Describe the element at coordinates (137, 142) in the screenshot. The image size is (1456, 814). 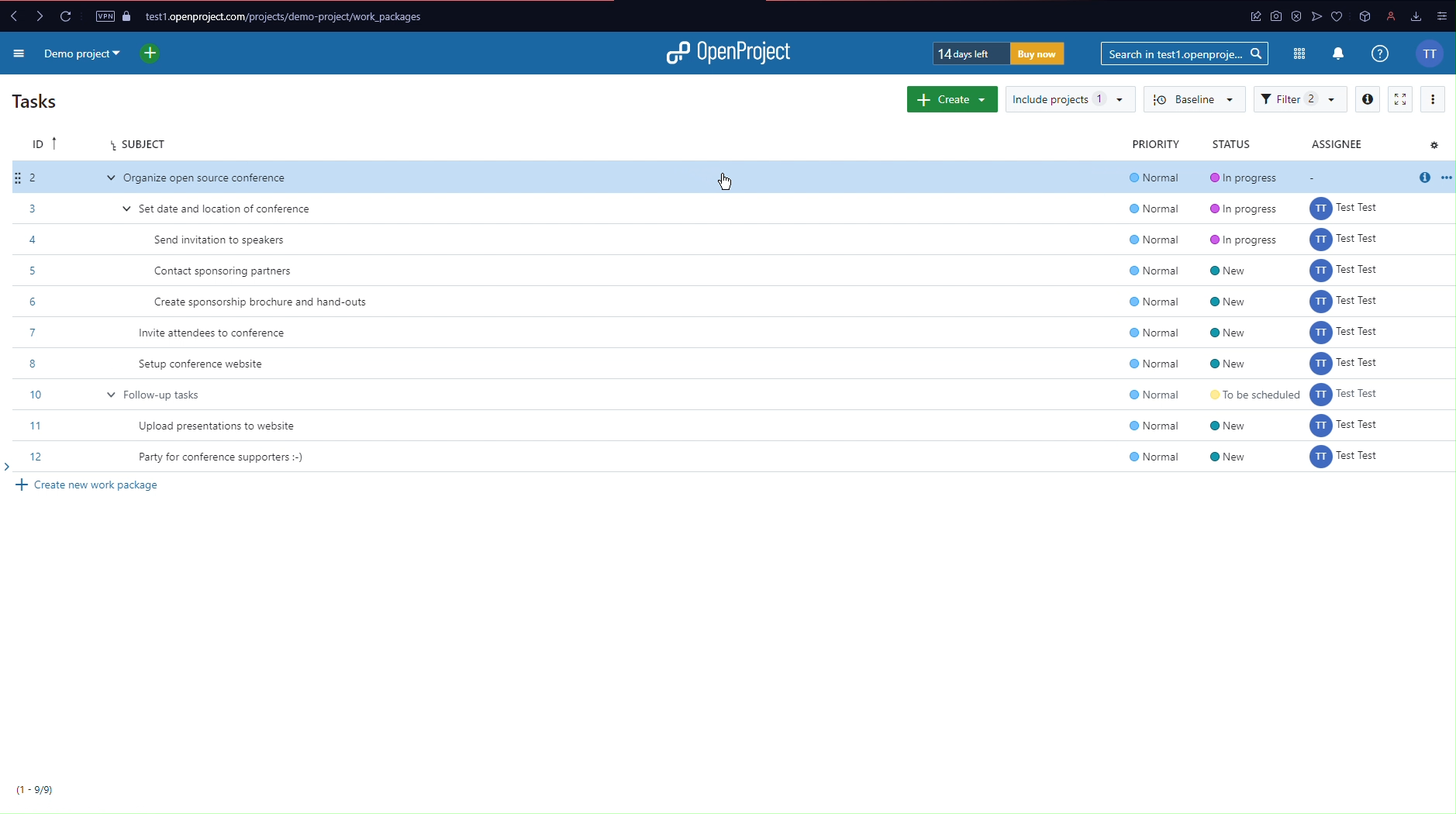
I see `Subject` at that location.